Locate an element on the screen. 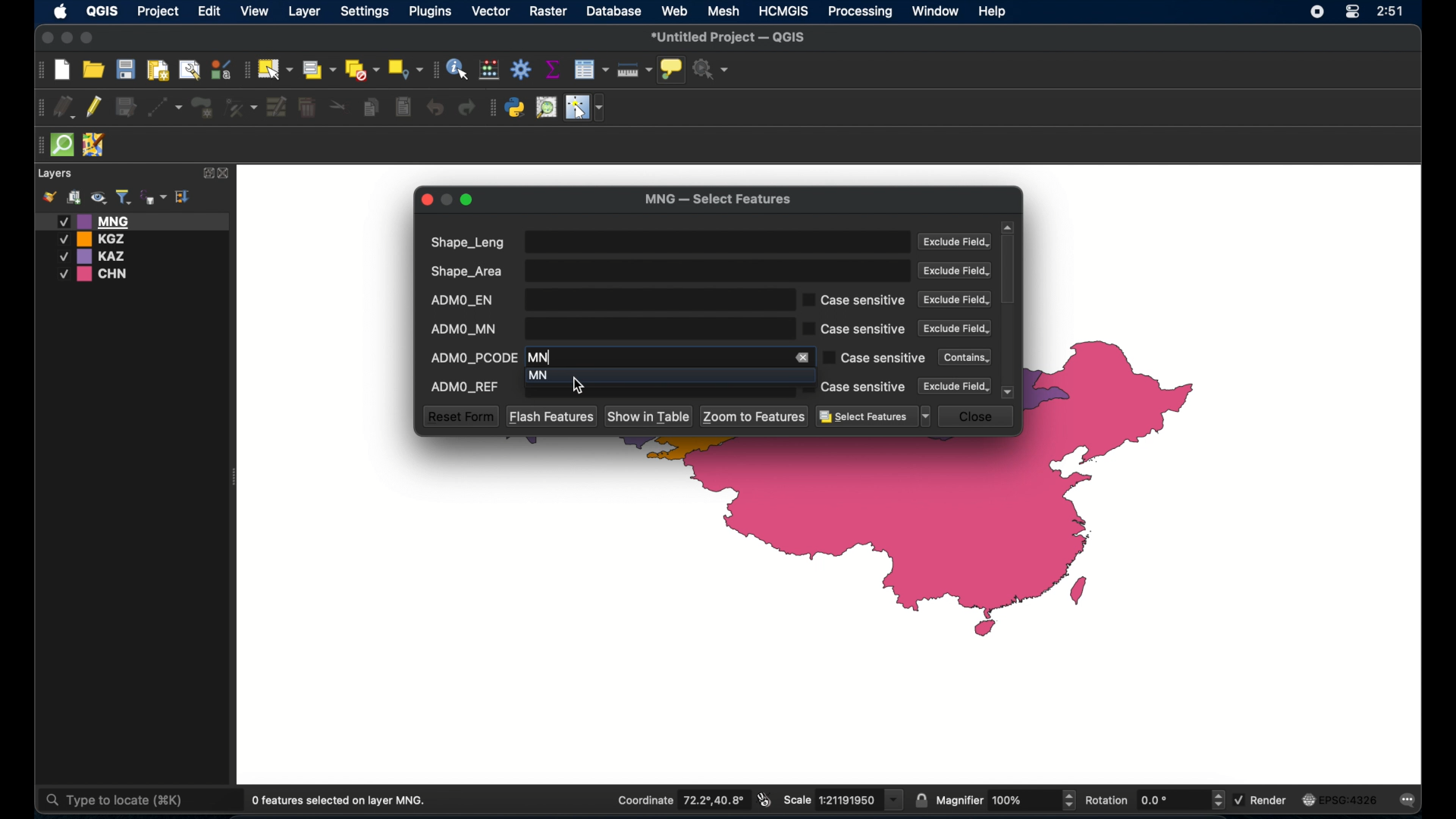  delete selected is located at coordinates (403, 107).